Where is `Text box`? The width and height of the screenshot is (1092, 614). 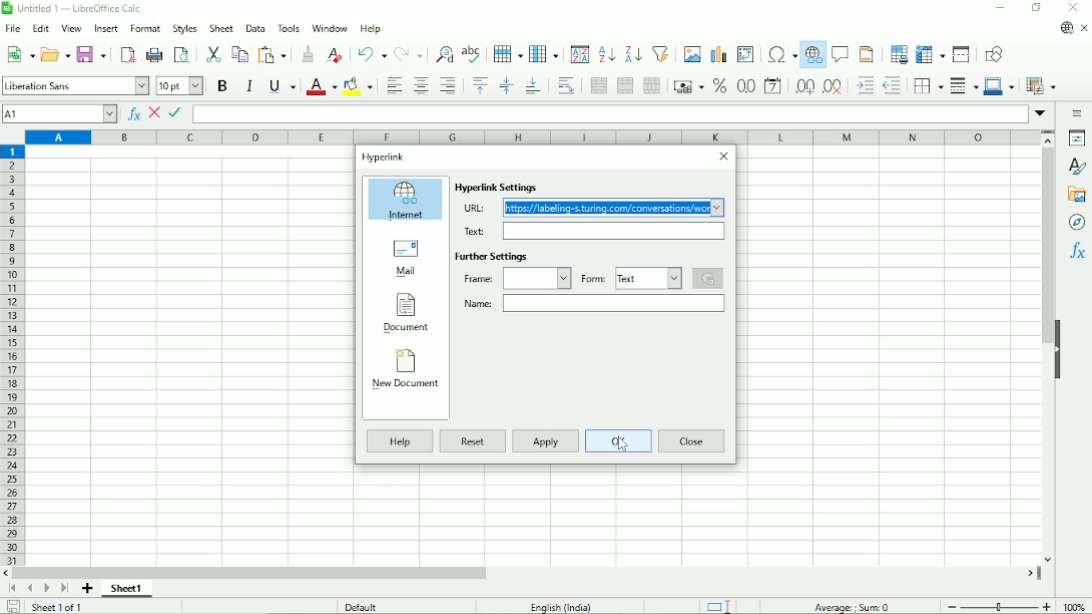
Text box is located at coordinates (614, 231).